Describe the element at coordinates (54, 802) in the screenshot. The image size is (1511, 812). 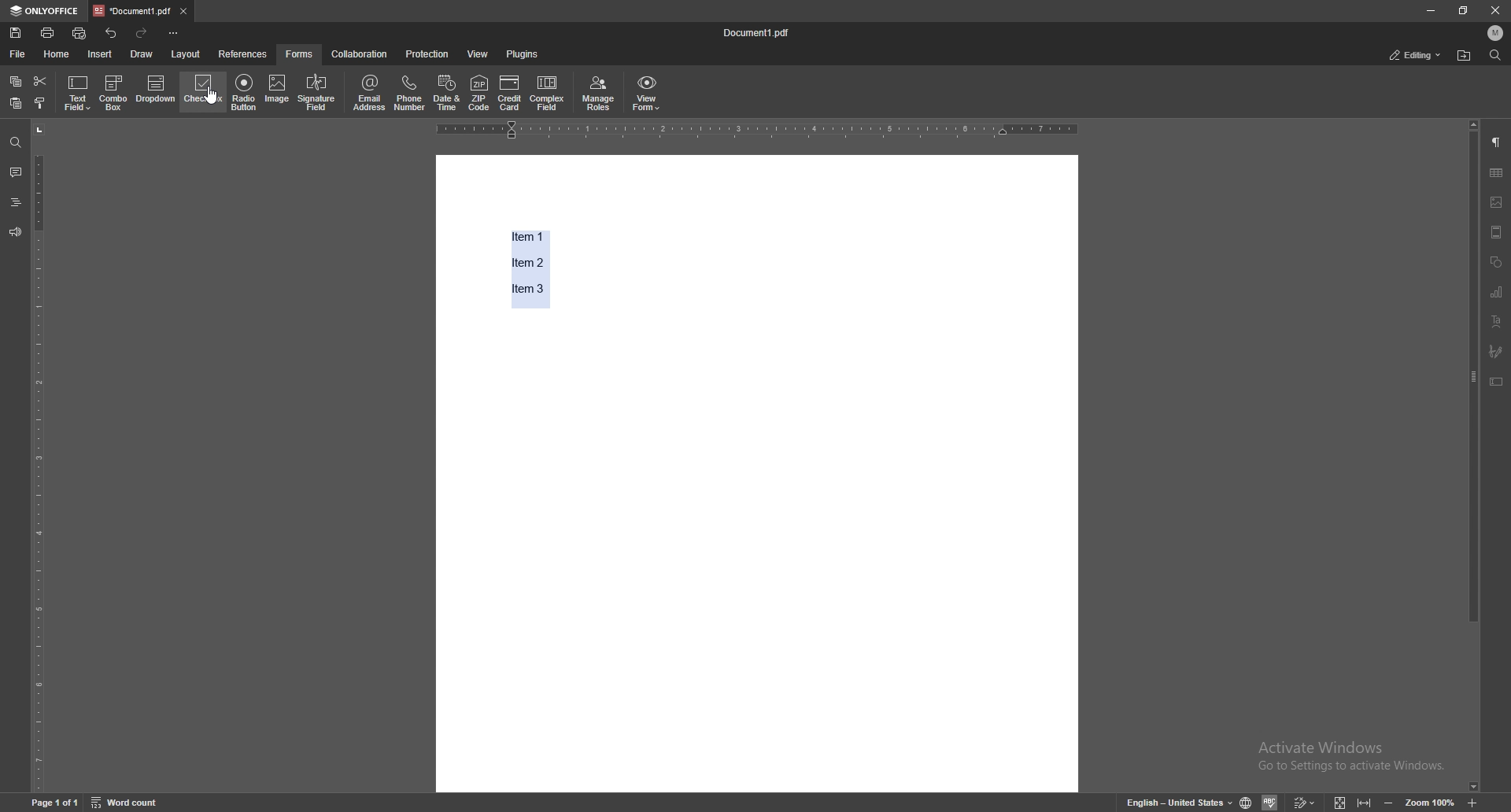
I see `page` at that location.